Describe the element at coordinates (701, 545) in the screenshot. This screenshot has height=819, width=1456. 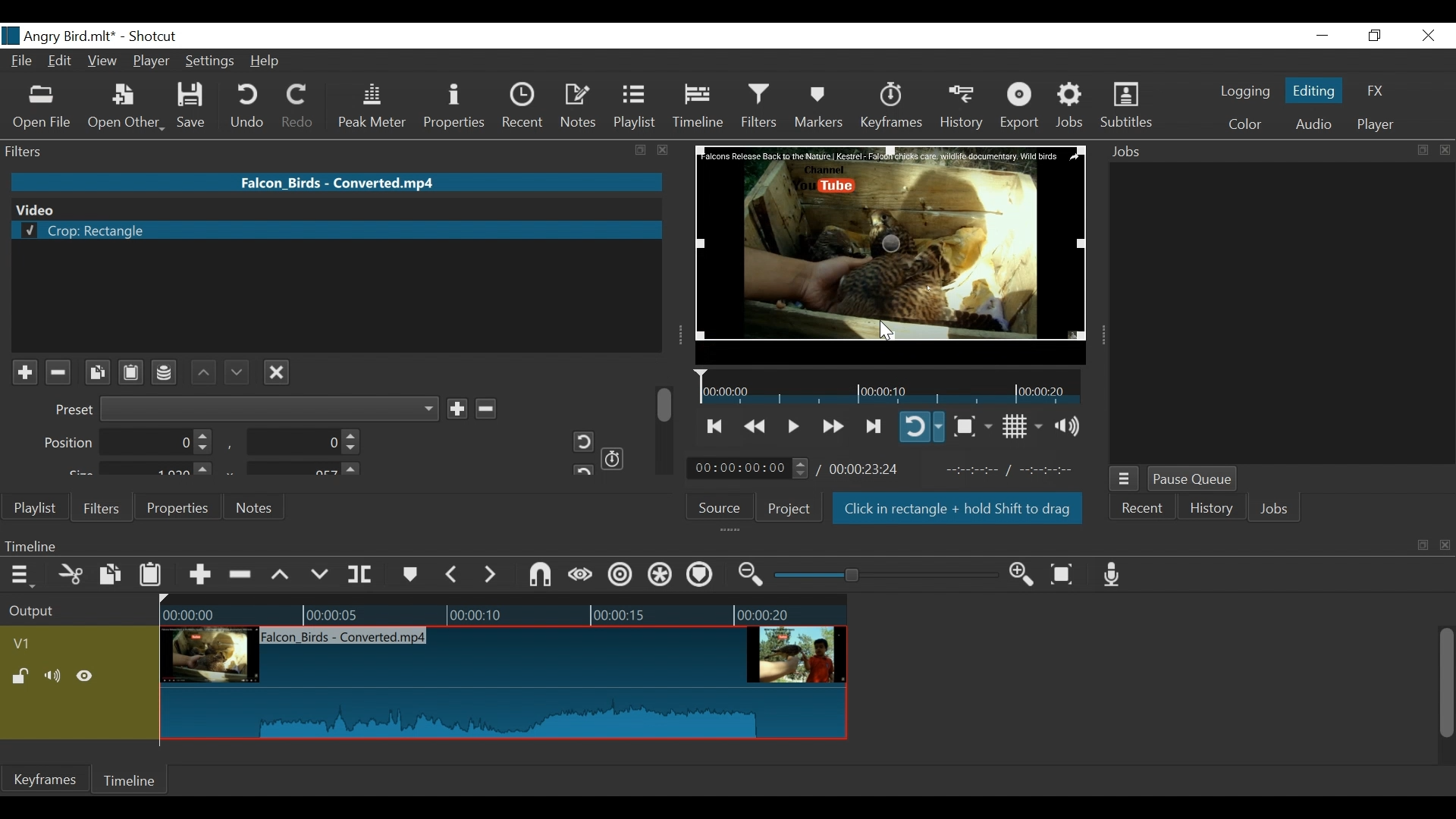
I see `Timeline` at that location.